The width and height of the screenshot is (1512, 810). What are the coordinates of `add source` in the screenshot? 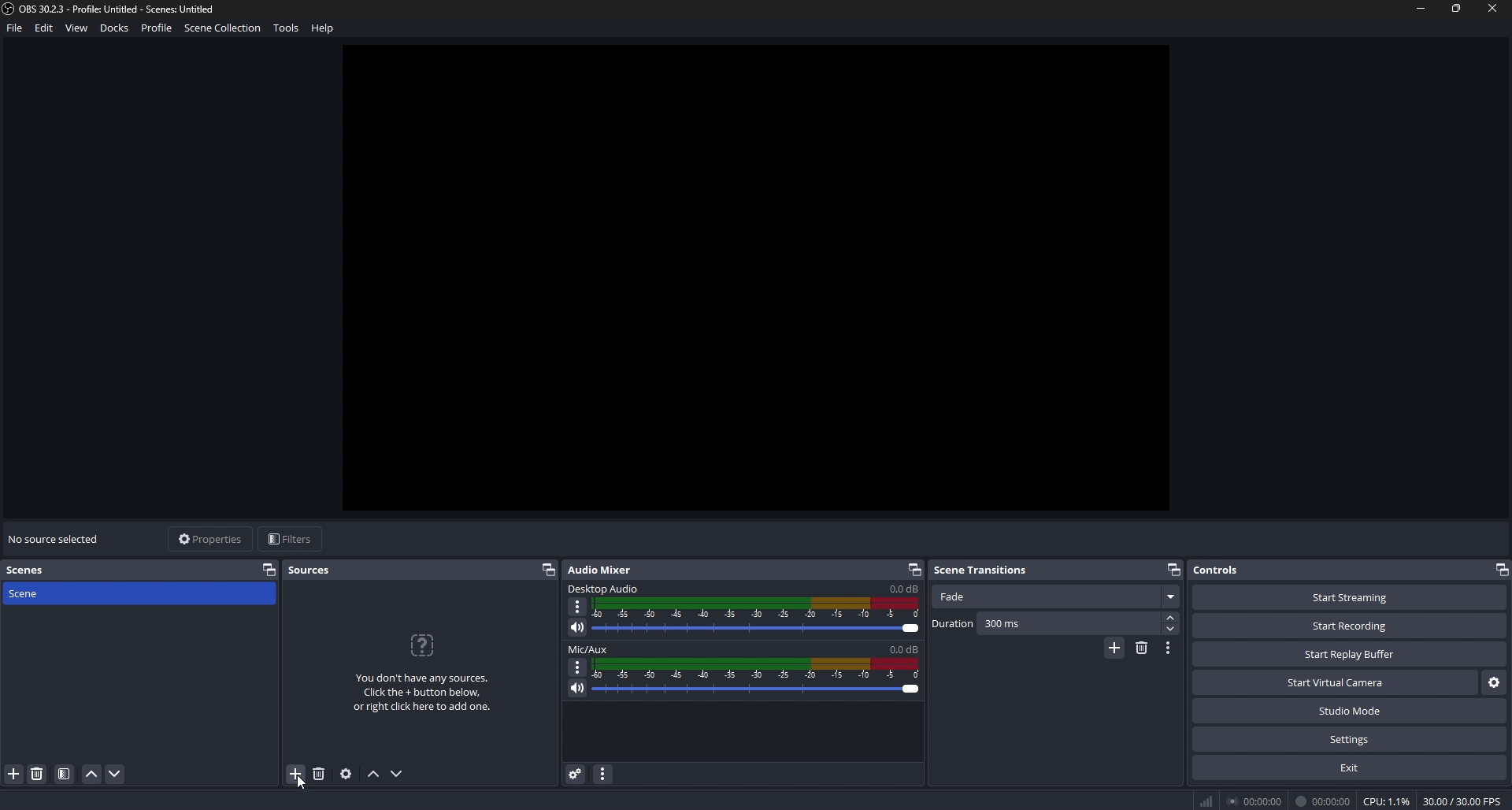 It's located at (297, 774).